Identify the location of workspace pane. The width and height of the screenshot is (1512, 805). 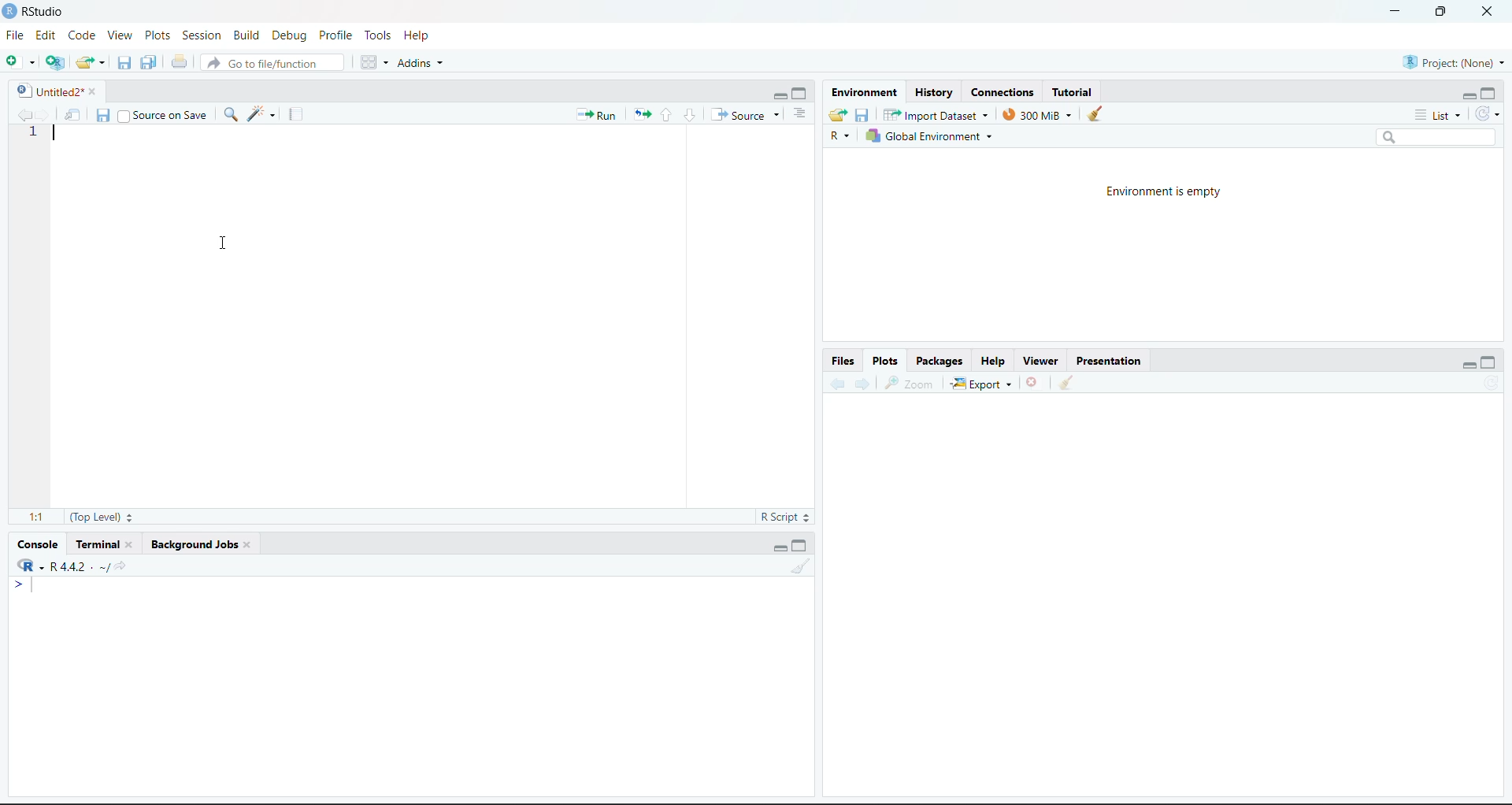
(374, 62).